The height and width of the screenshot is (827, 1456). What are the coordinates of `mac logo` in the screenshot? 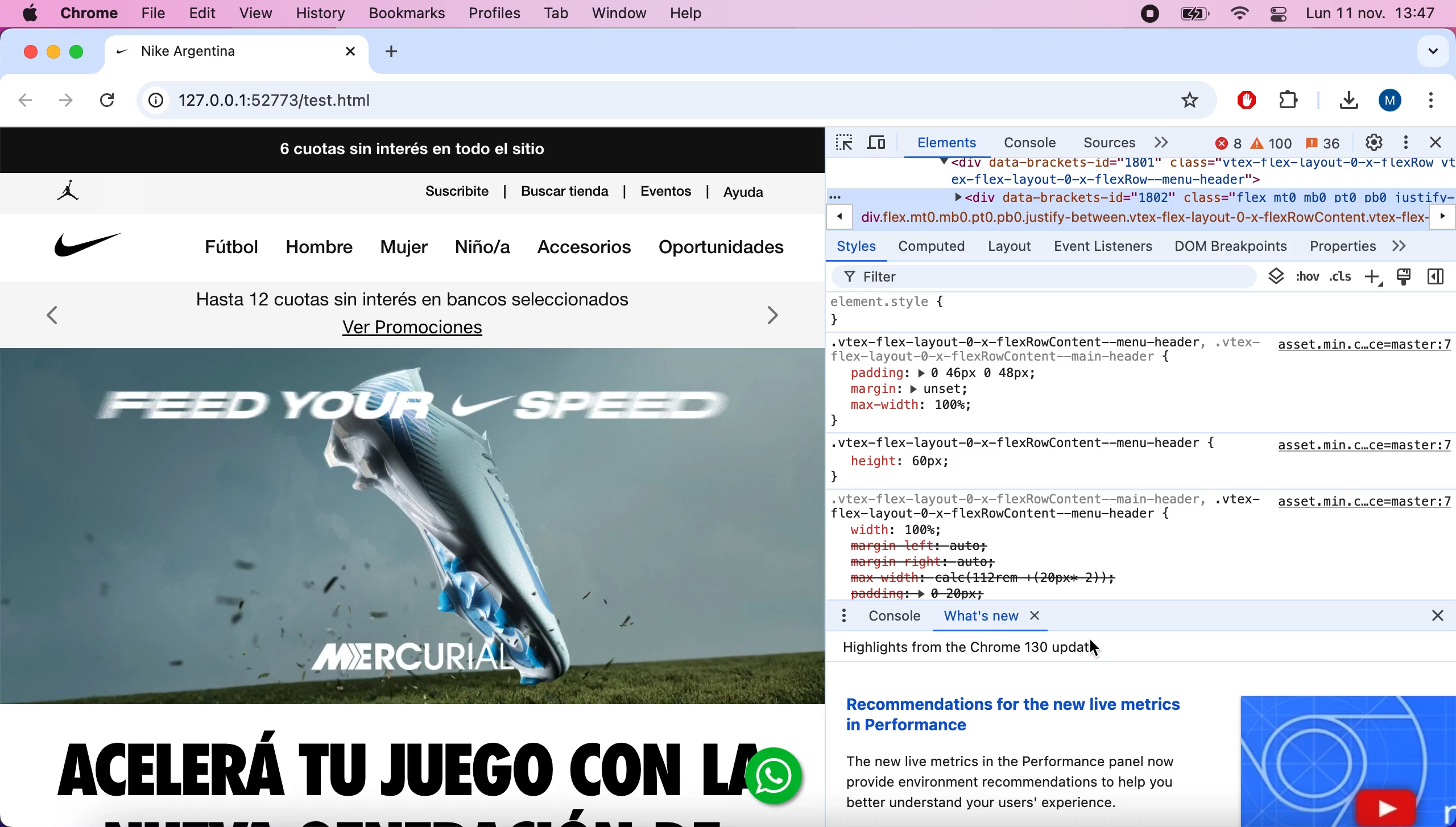 It's located at (31, 15).